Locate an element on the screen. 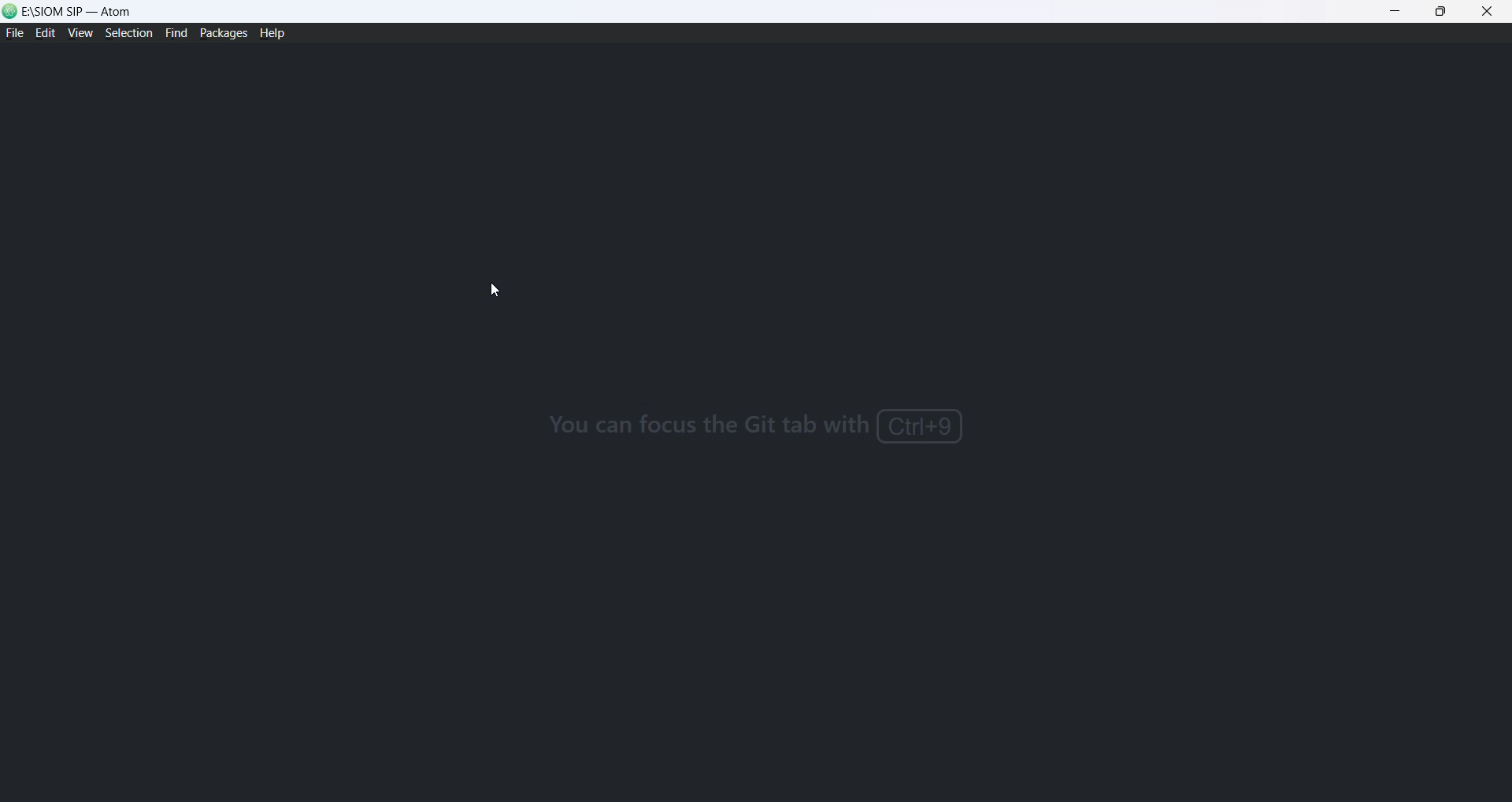 This screenshot has width=1512, height=802. close is located at coordinates (1488, 13).